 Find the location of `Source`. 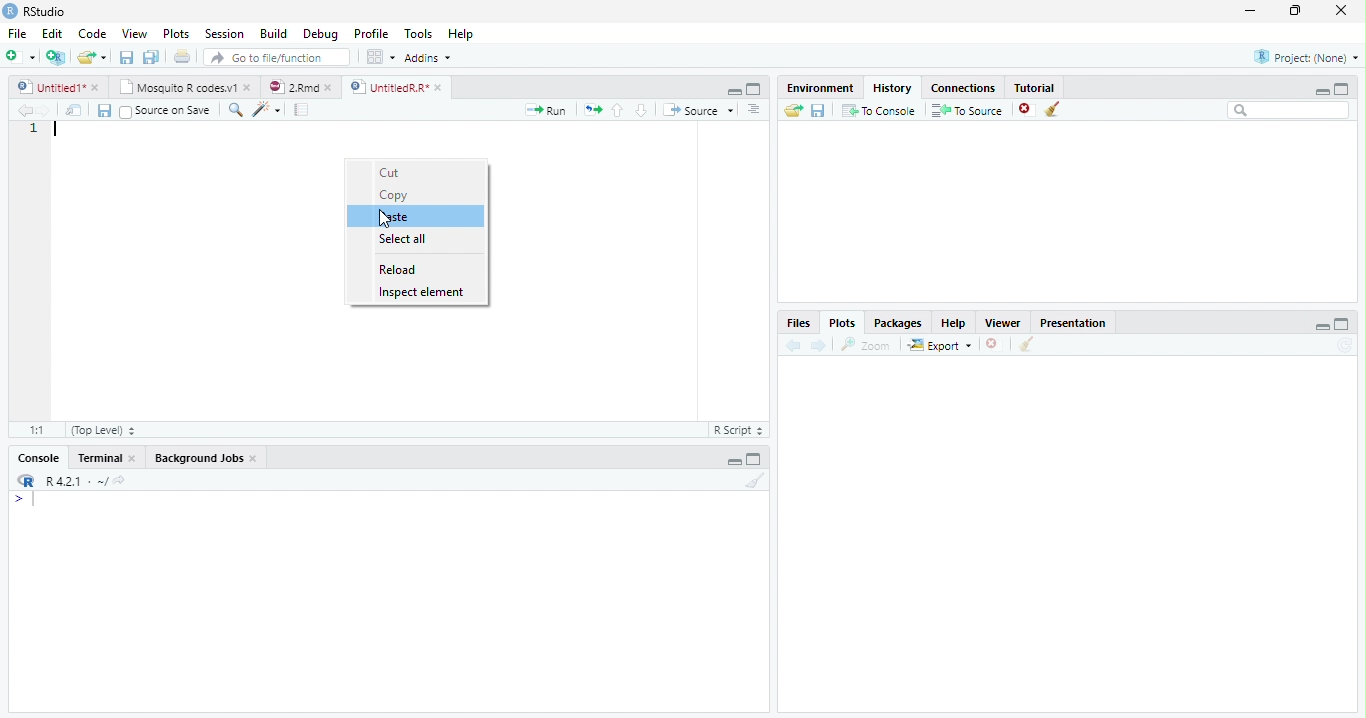

Source is located at coordinates (699, 110).